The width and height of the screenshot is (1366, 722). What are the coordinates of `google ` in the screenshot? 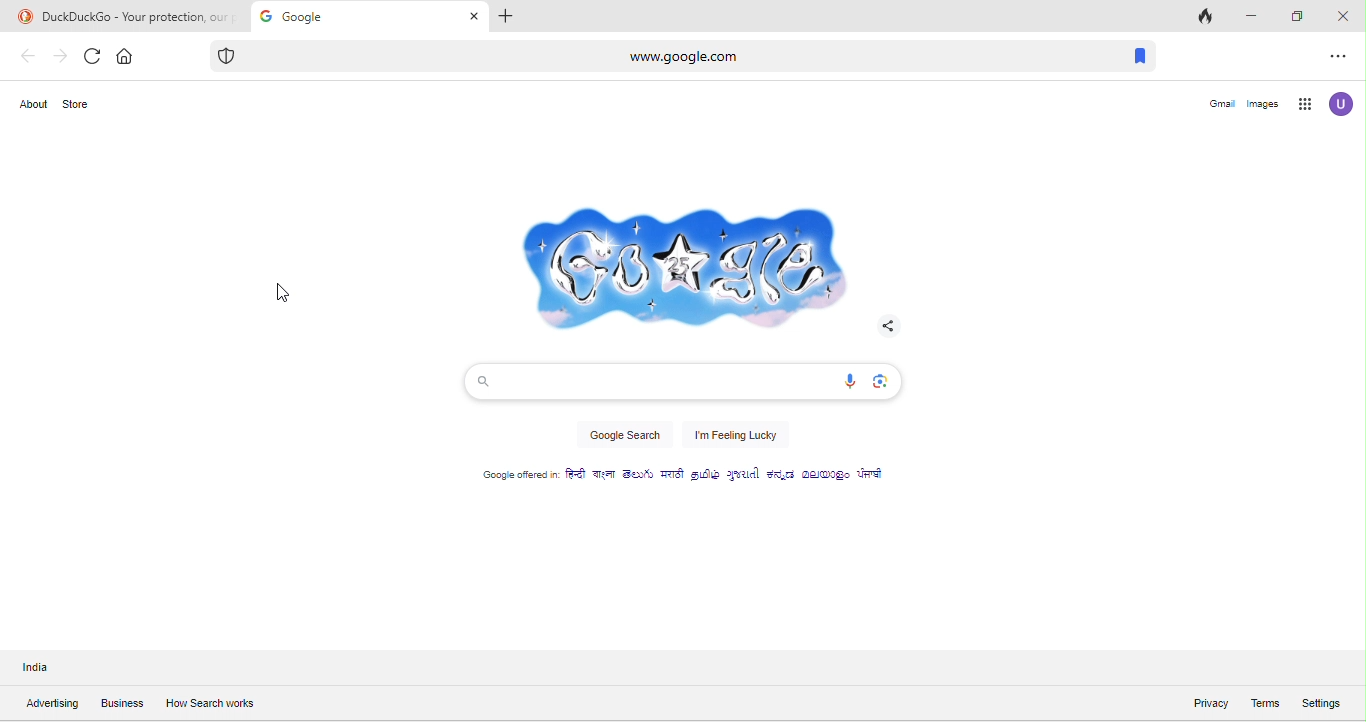 It's located at (678, 261).